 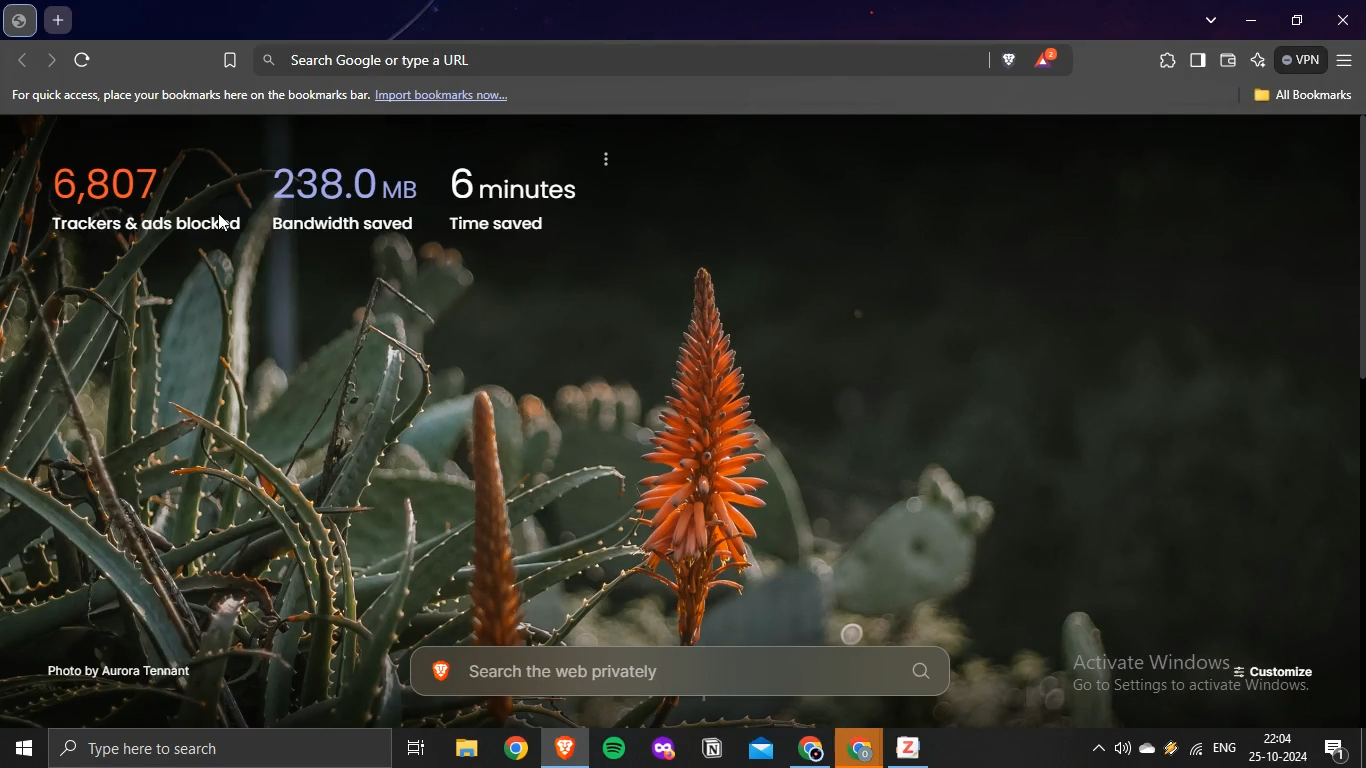 I want to click on show hidden icons, so click(x=1098, y=747).